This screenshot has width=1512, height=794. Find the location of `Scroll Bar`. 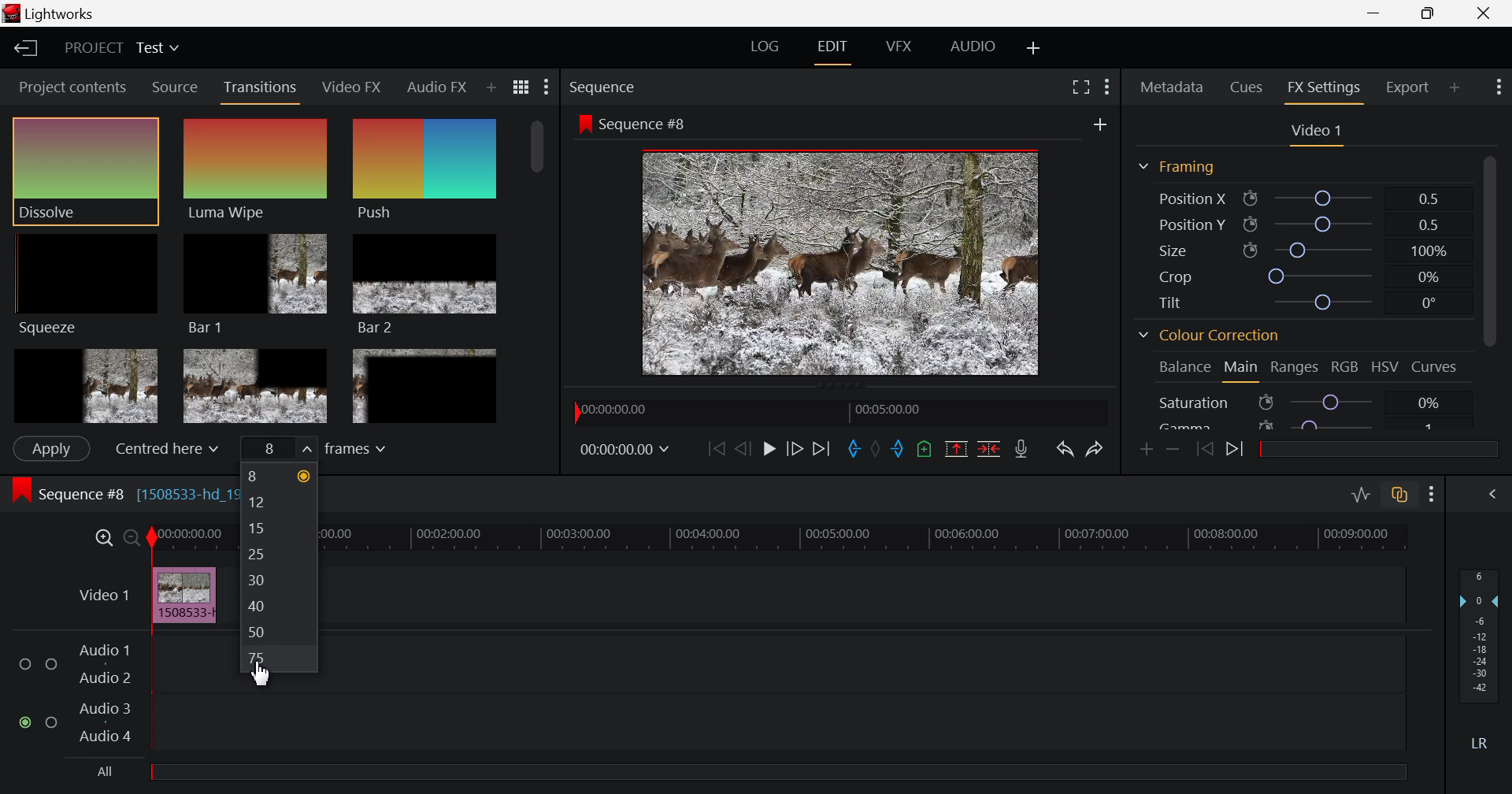

Scroll Bar is located at coordinates (535, 277).